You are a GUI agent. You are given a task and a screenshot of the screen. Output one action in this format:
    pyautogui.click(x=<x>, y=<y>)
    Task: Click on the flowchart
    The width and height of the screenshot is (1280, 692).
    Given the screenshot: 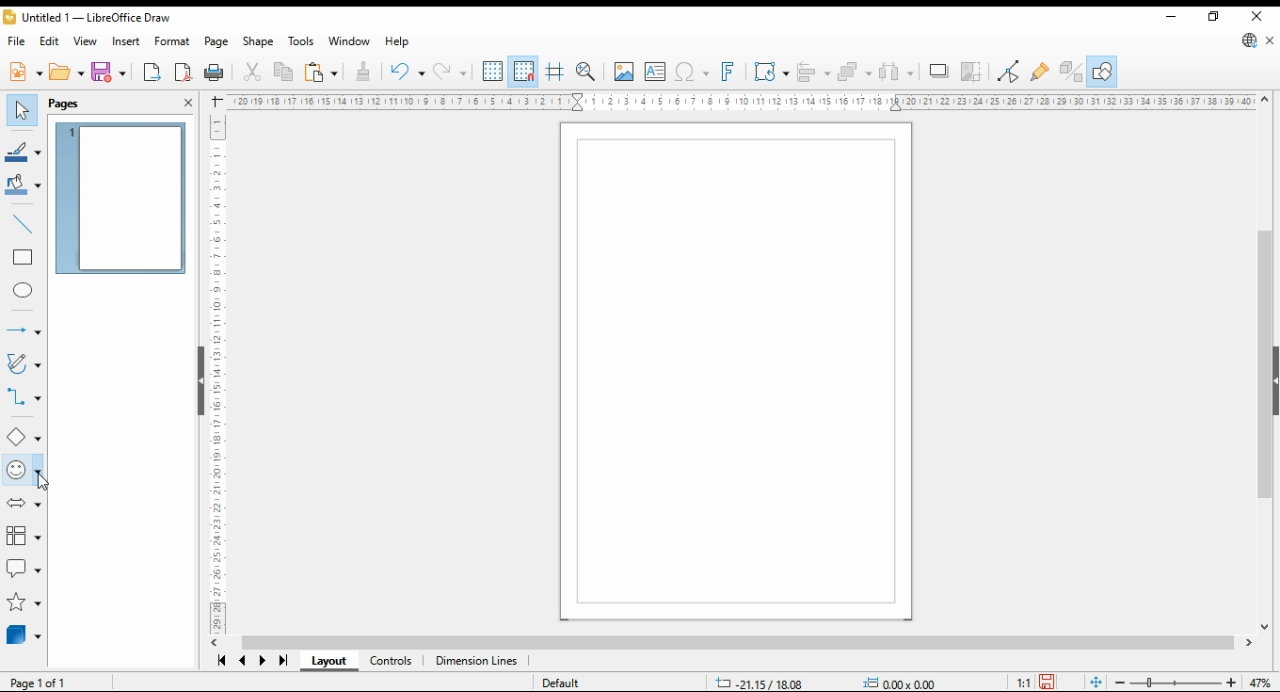 What is the action you would take?
    pyautogui.click(x=20, y=534)
    